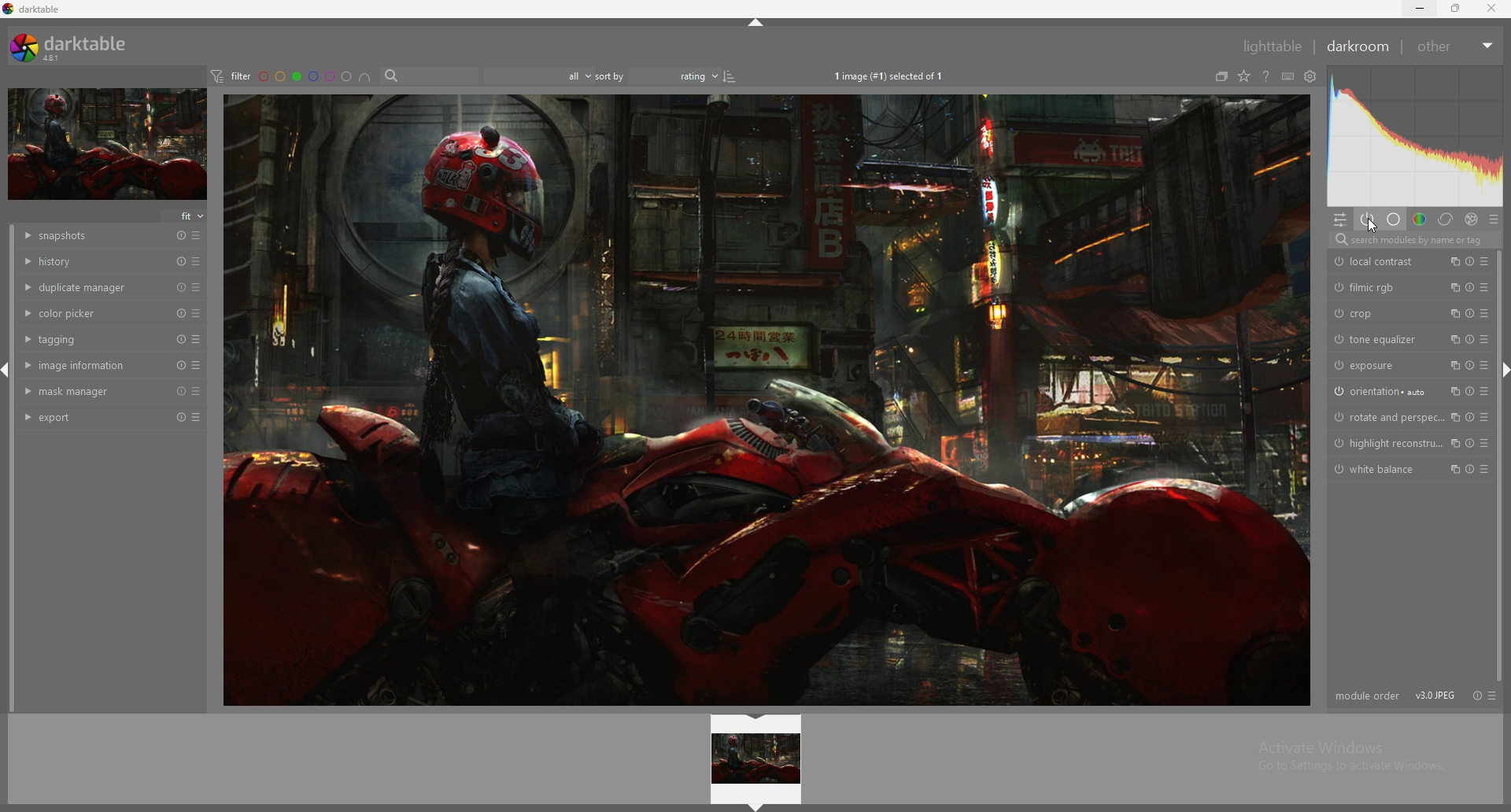 The image size is (1511, 812). Describe the element at coordinates (186, 216) in the screenshot. I see `fit` at that location.